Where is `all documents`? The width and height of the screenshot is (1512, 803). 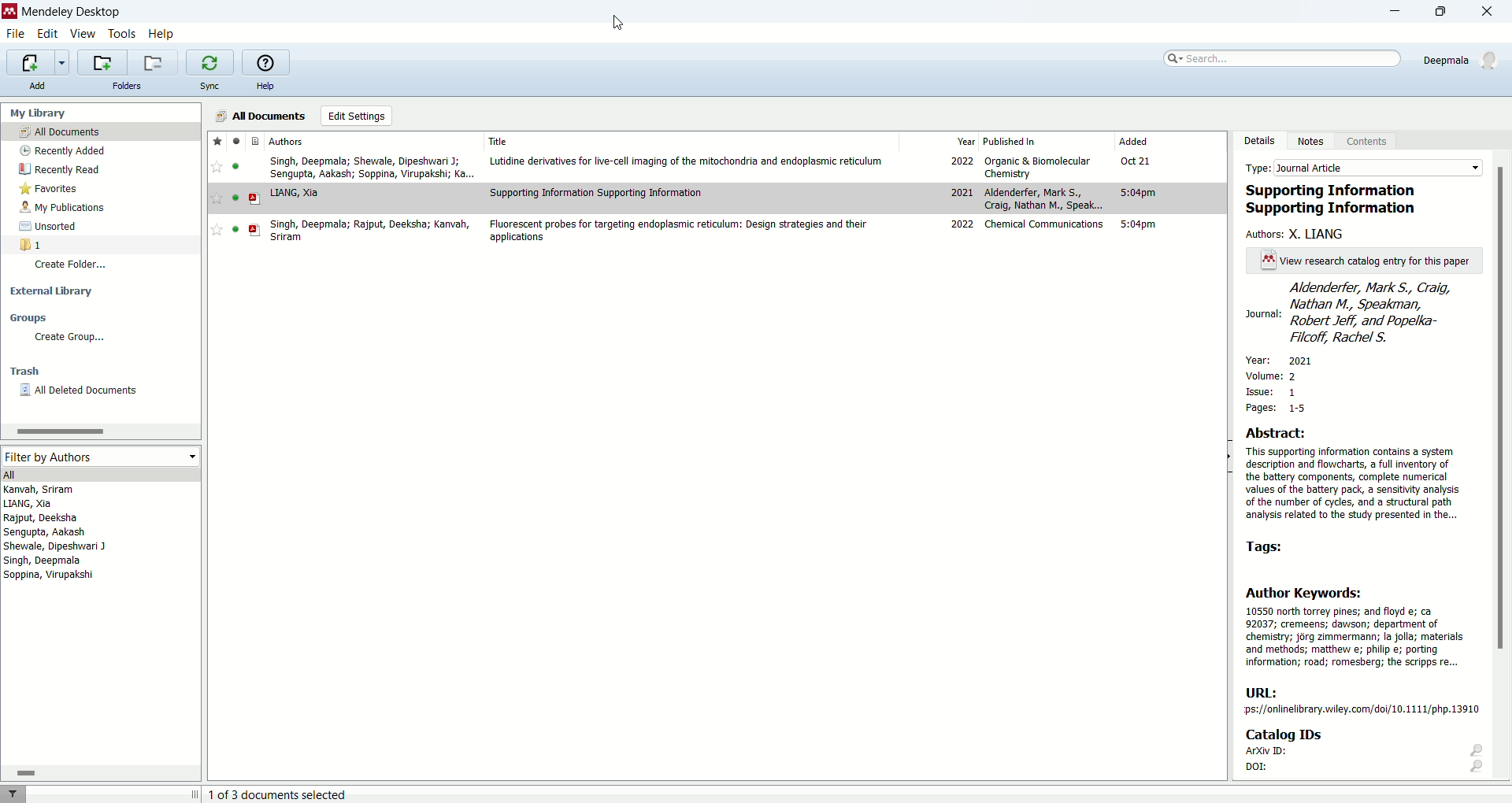 all documents is located at coordinates (102, 131).